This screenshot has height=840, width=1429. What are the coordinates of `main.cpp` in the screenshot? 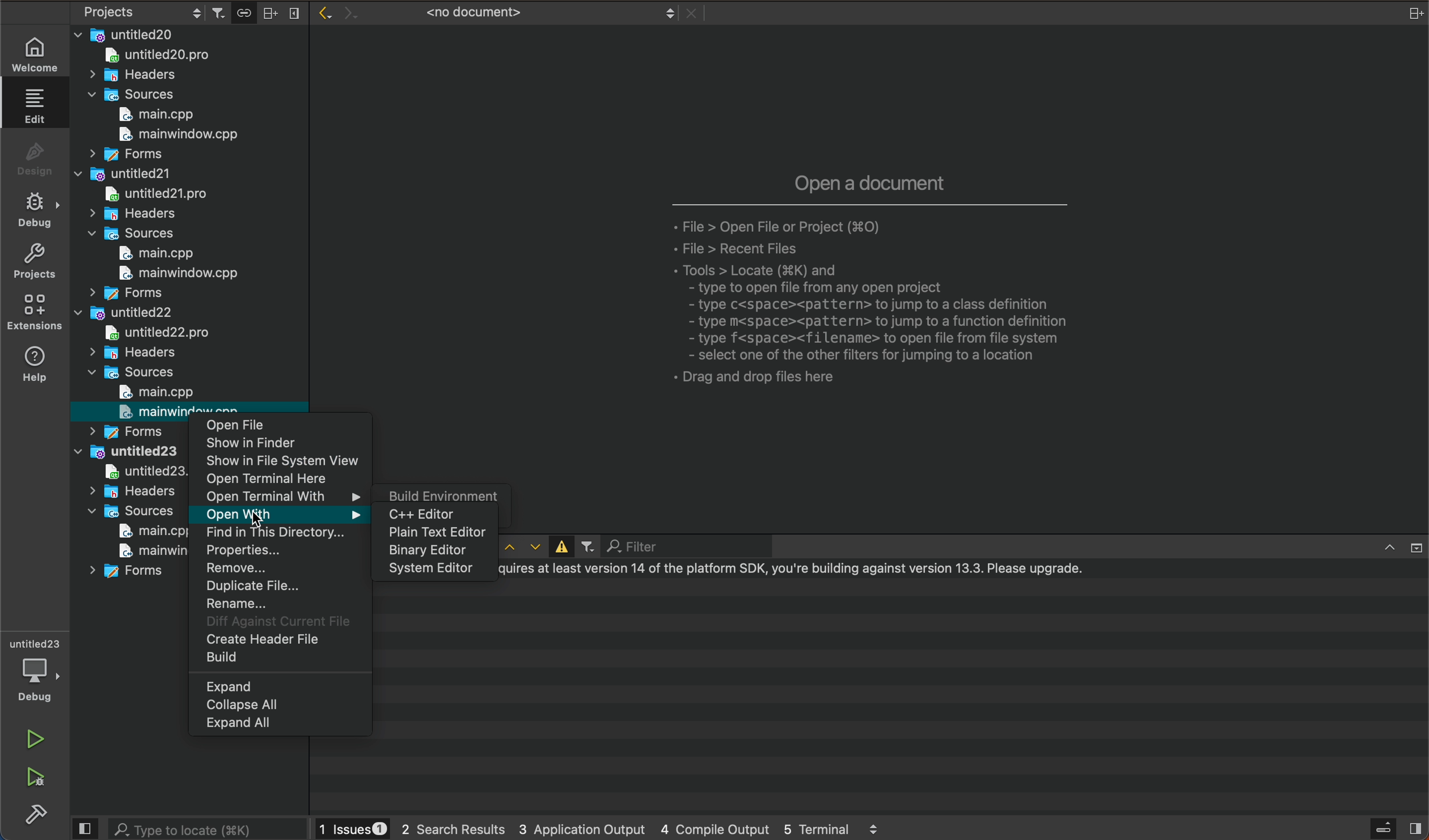 It's located at (145, 254).